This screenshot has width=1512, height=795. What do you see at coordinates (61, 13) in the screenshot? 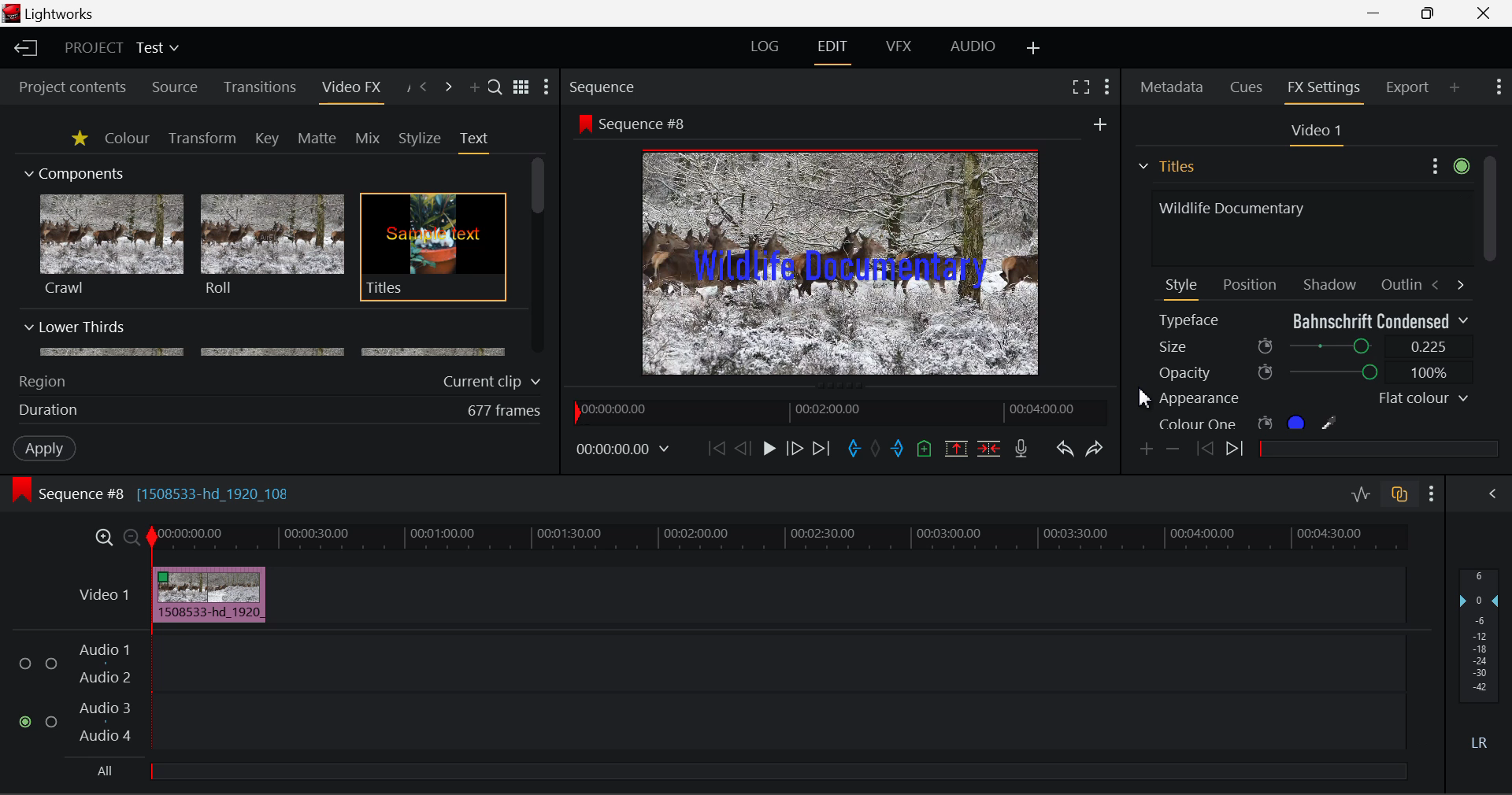
I see `Lightworks` at bounding box center [61, 13].